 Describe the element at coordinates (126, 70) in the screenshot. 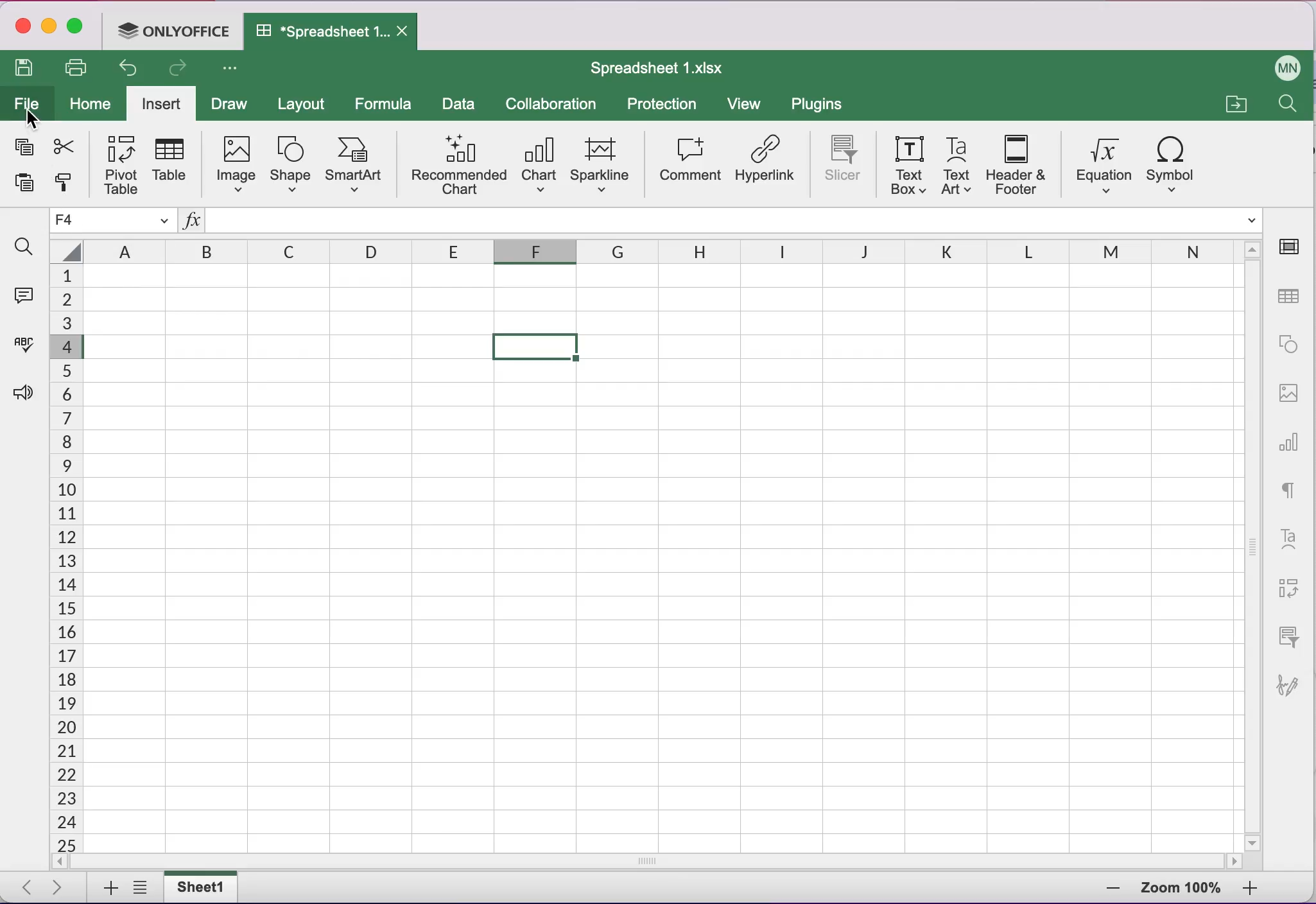

I see `backwards` at that location.